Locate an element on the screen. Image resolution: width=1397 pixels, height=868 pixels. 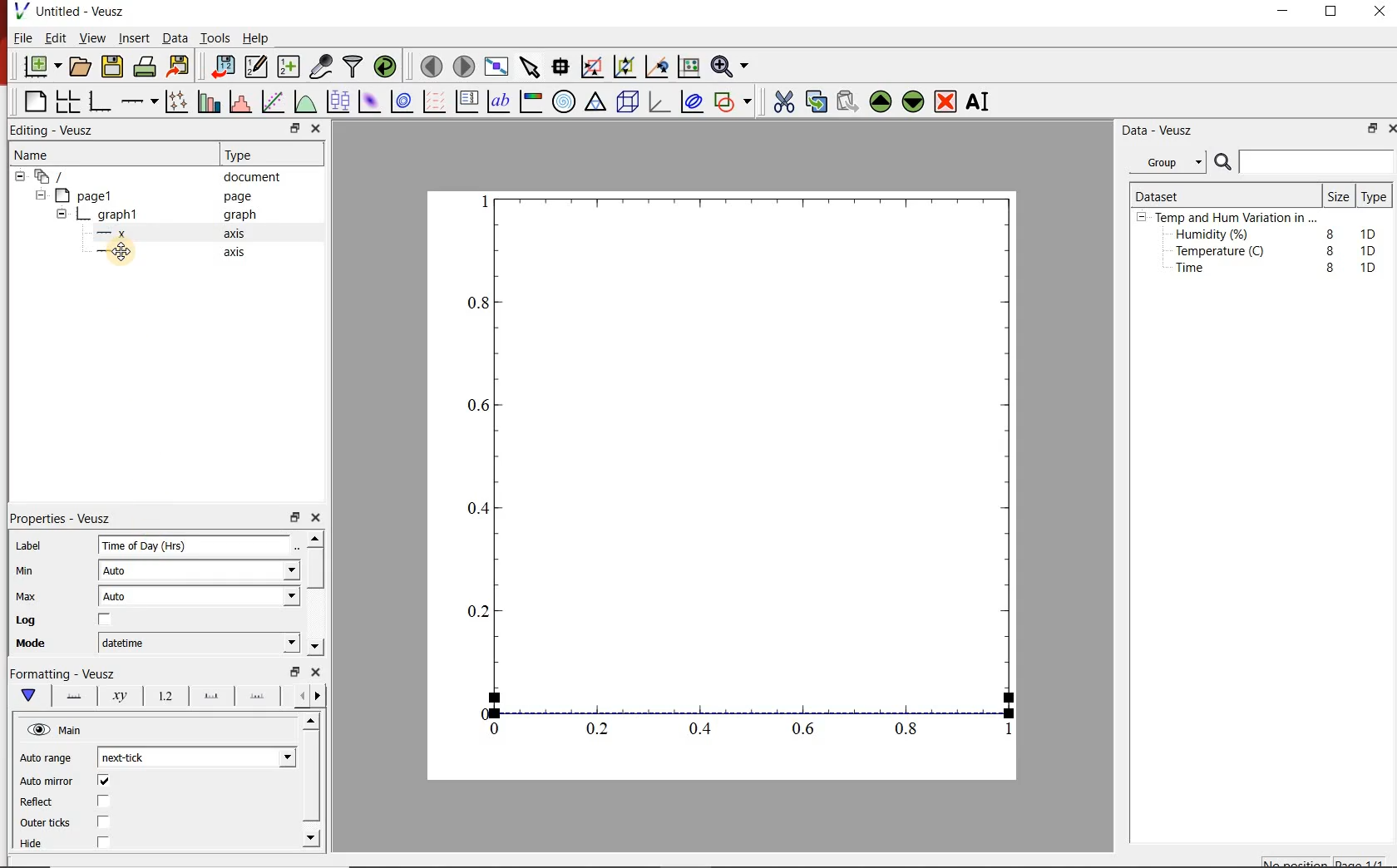
plot covariance ellipses is located at coordinates (696, 105).